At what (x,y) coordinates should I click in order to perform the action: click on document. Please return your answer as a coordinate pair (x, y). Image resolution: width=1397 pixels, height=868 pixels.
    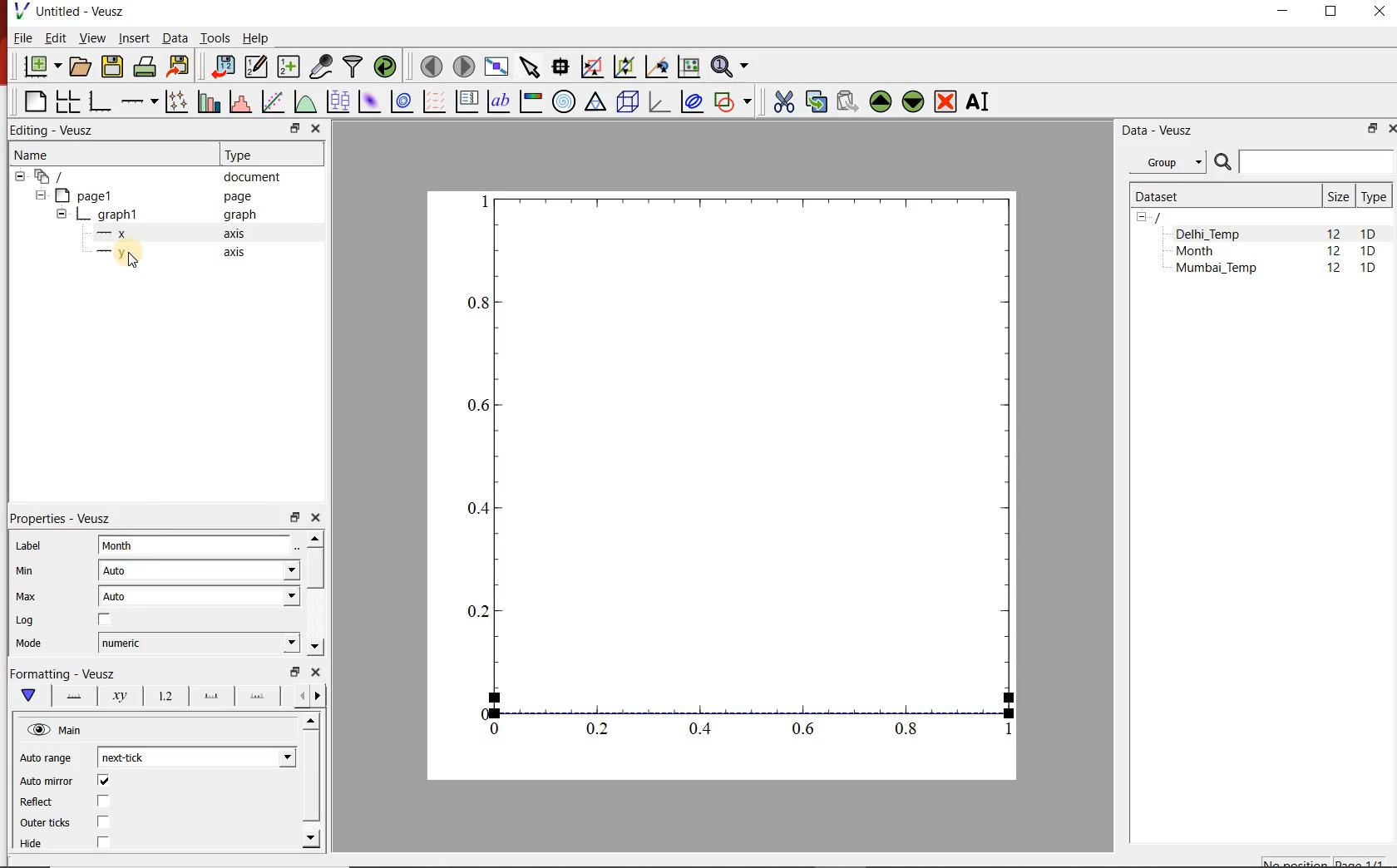
    Looking at the image, I should click on (151, 175).